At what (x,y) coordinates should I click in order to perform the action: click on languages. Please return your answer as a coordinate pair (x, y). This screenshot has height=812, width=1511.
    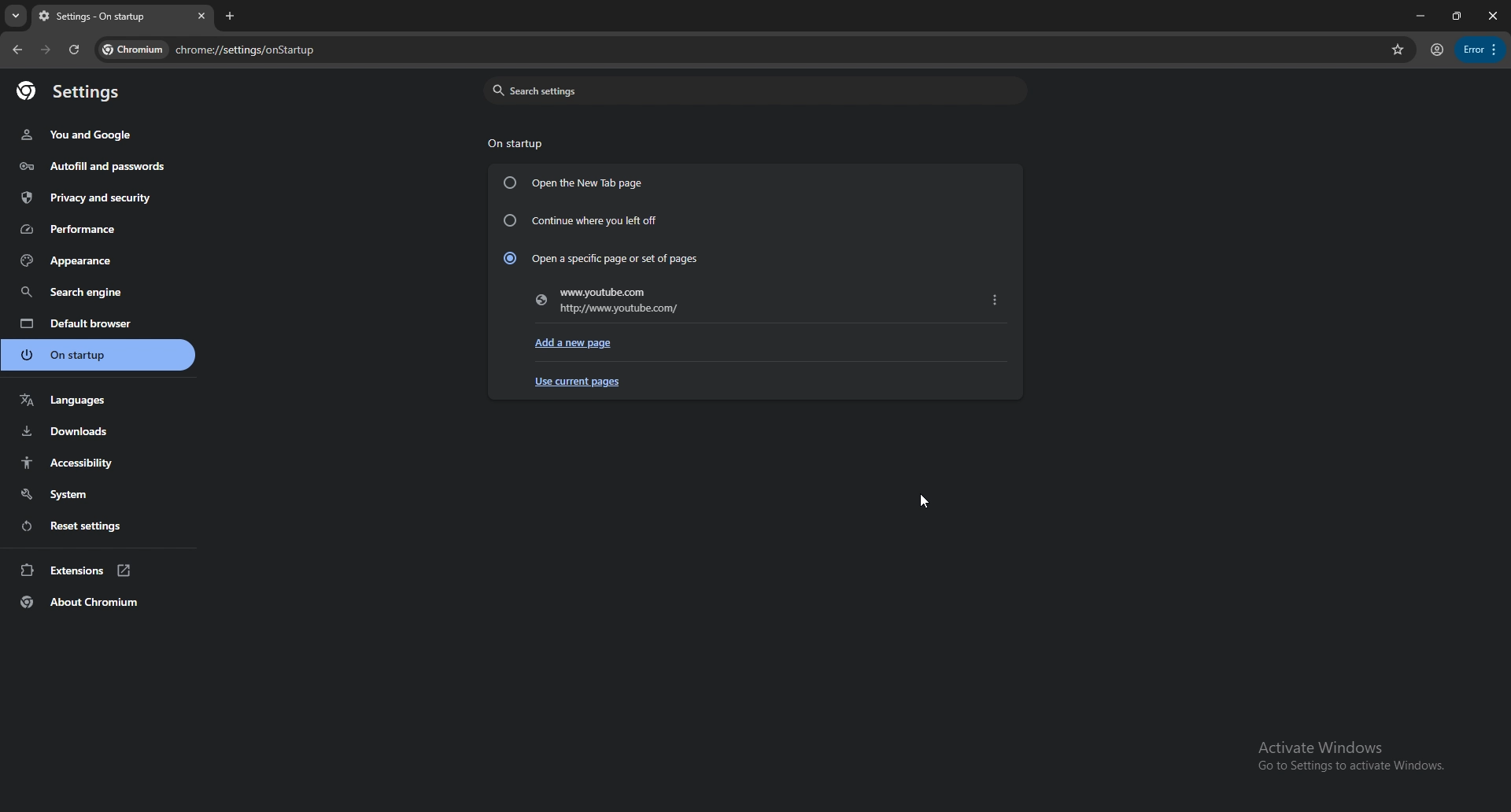
    Looking at the image, I should click on (98, 400).